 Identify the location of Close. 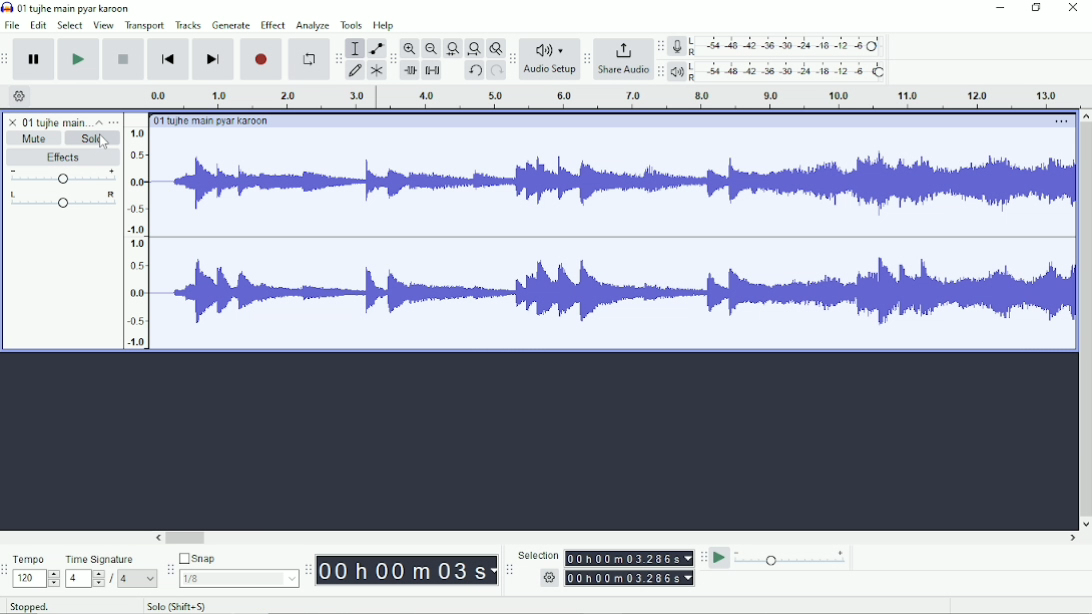
(1074, 8).